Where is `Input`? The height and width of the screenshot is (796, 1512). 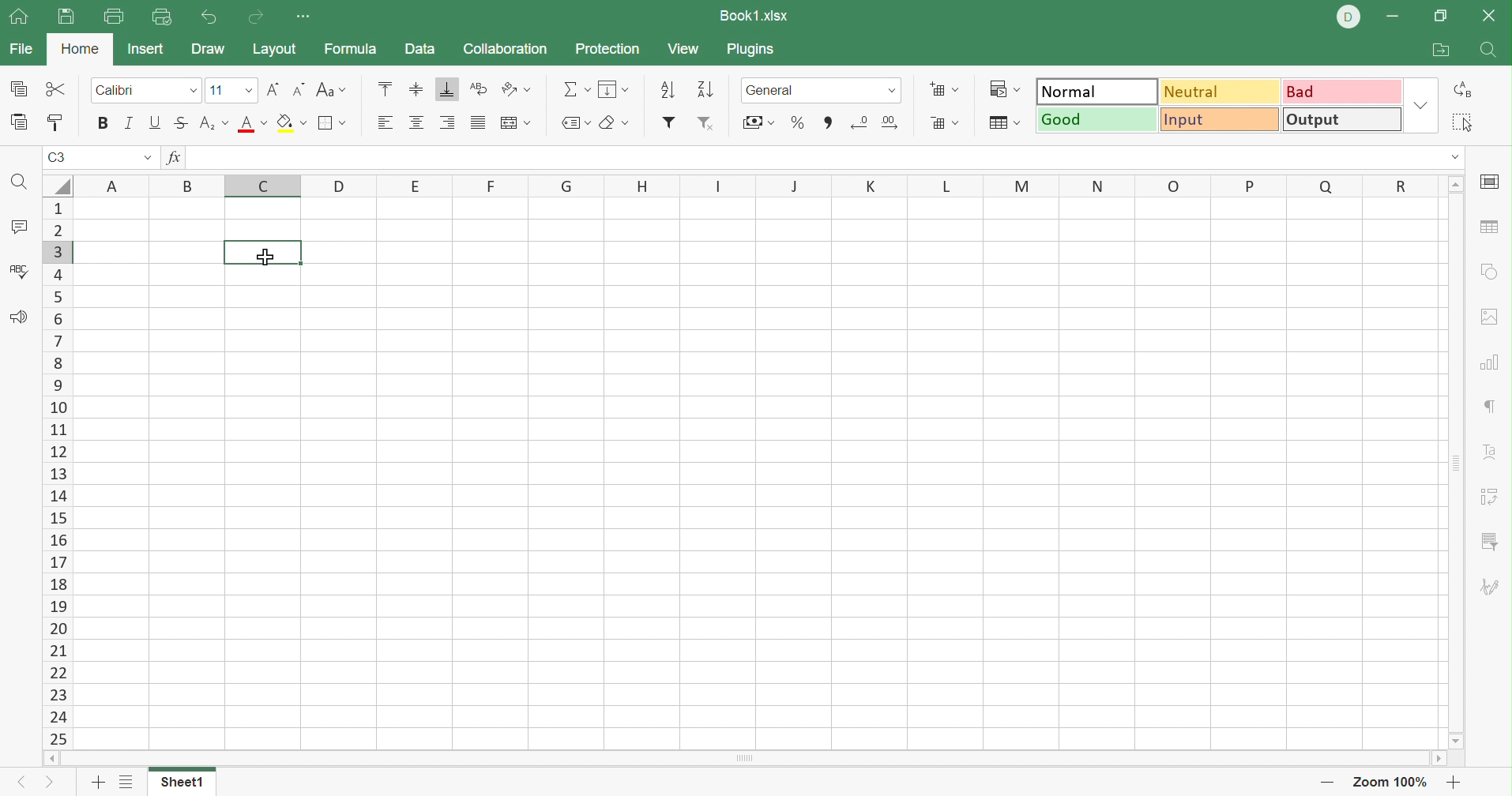 Input is located at coordinates (1217, 118).